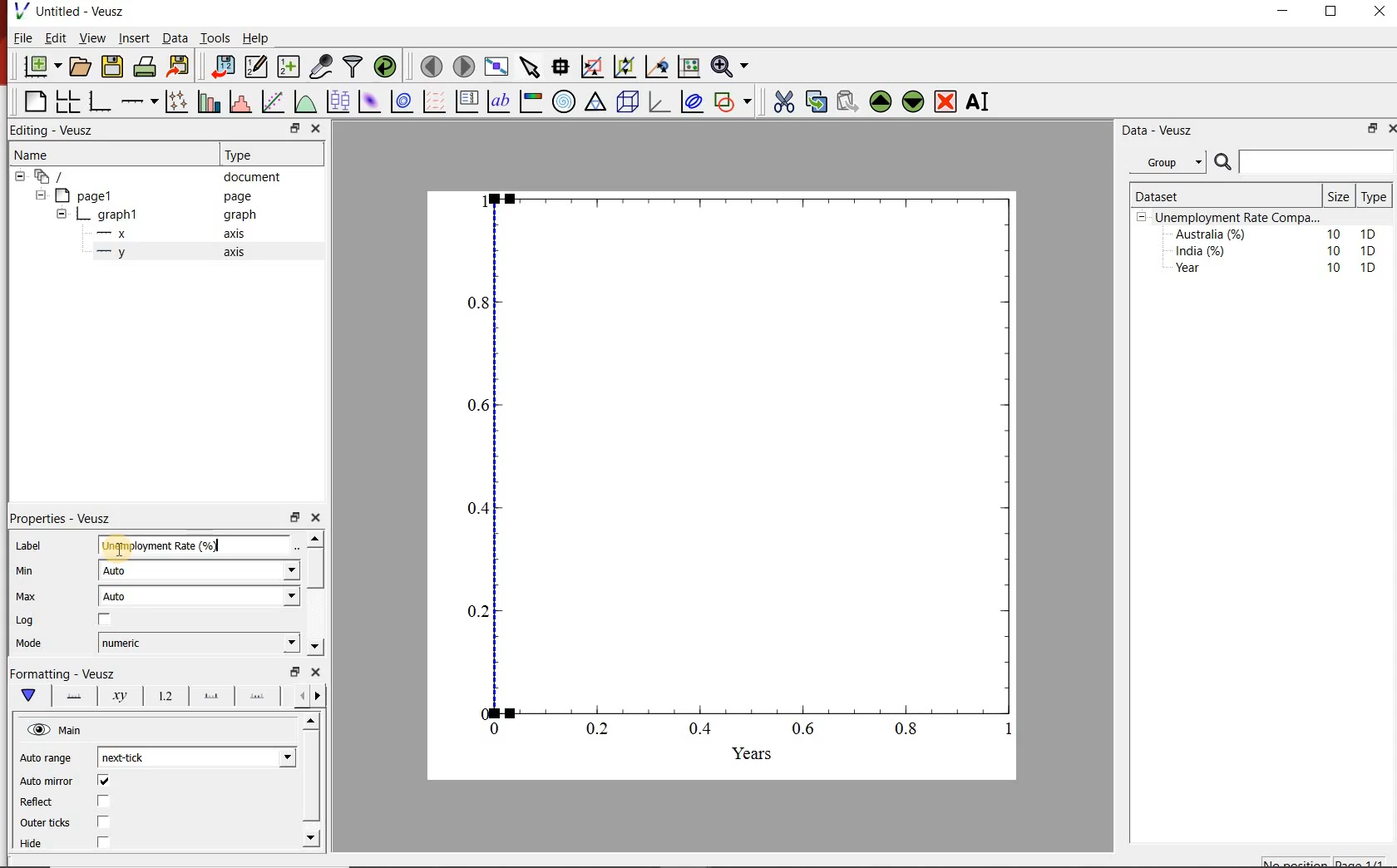 This screenshot has height=868, width=1397. I want to click on Size, so click(1340, 196).